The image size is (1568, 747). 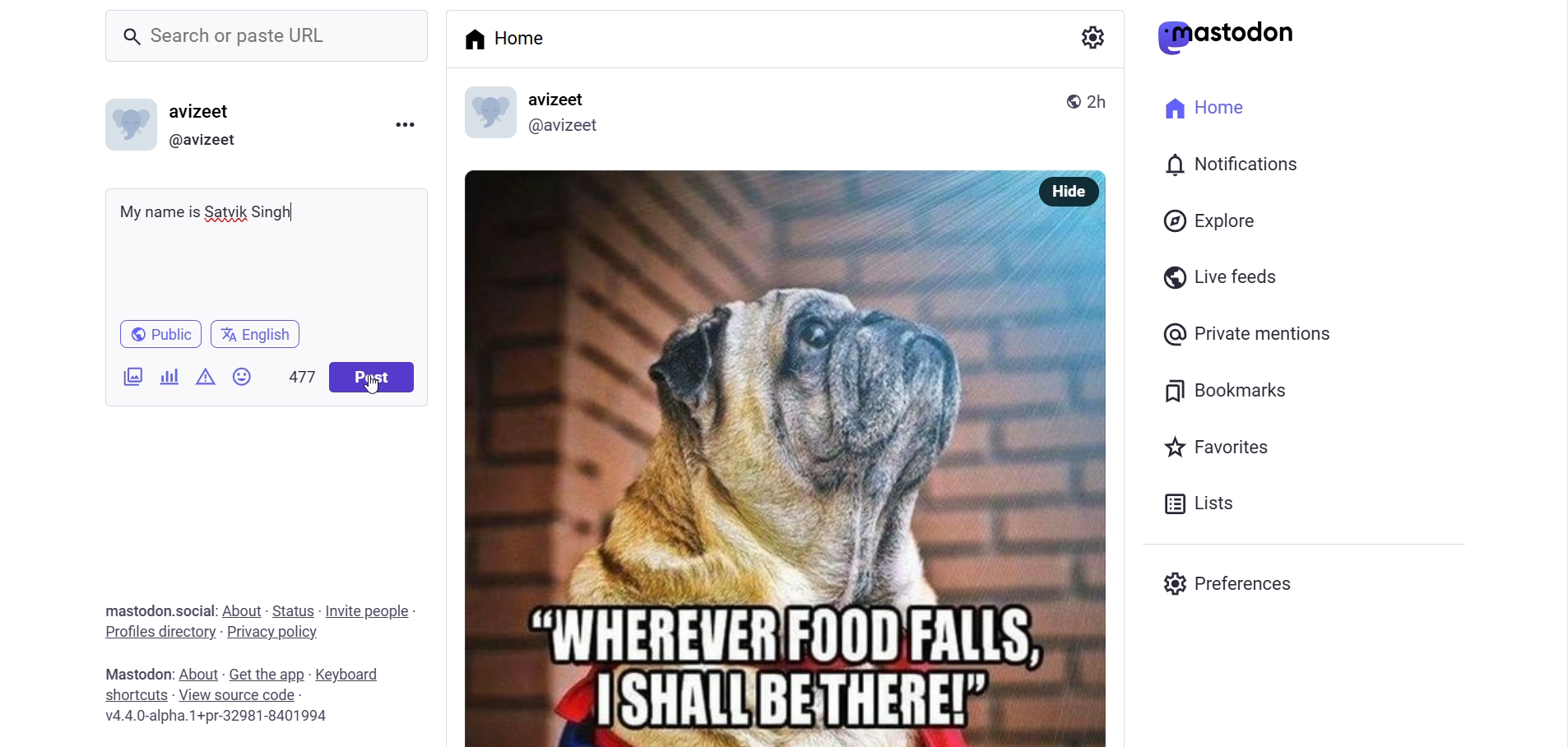 I want to click on Home, so click(x=519, y=40).